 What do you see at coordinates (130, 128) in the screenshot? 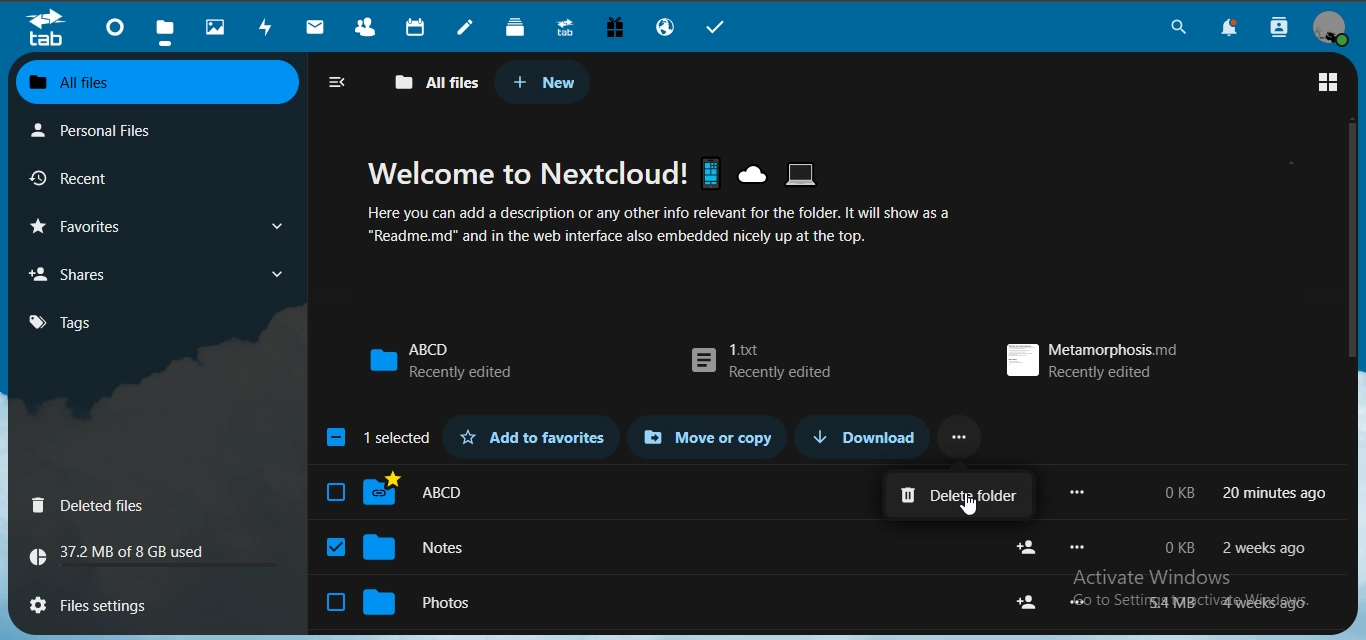
I see `personal files` at bounding box center [130, 128].